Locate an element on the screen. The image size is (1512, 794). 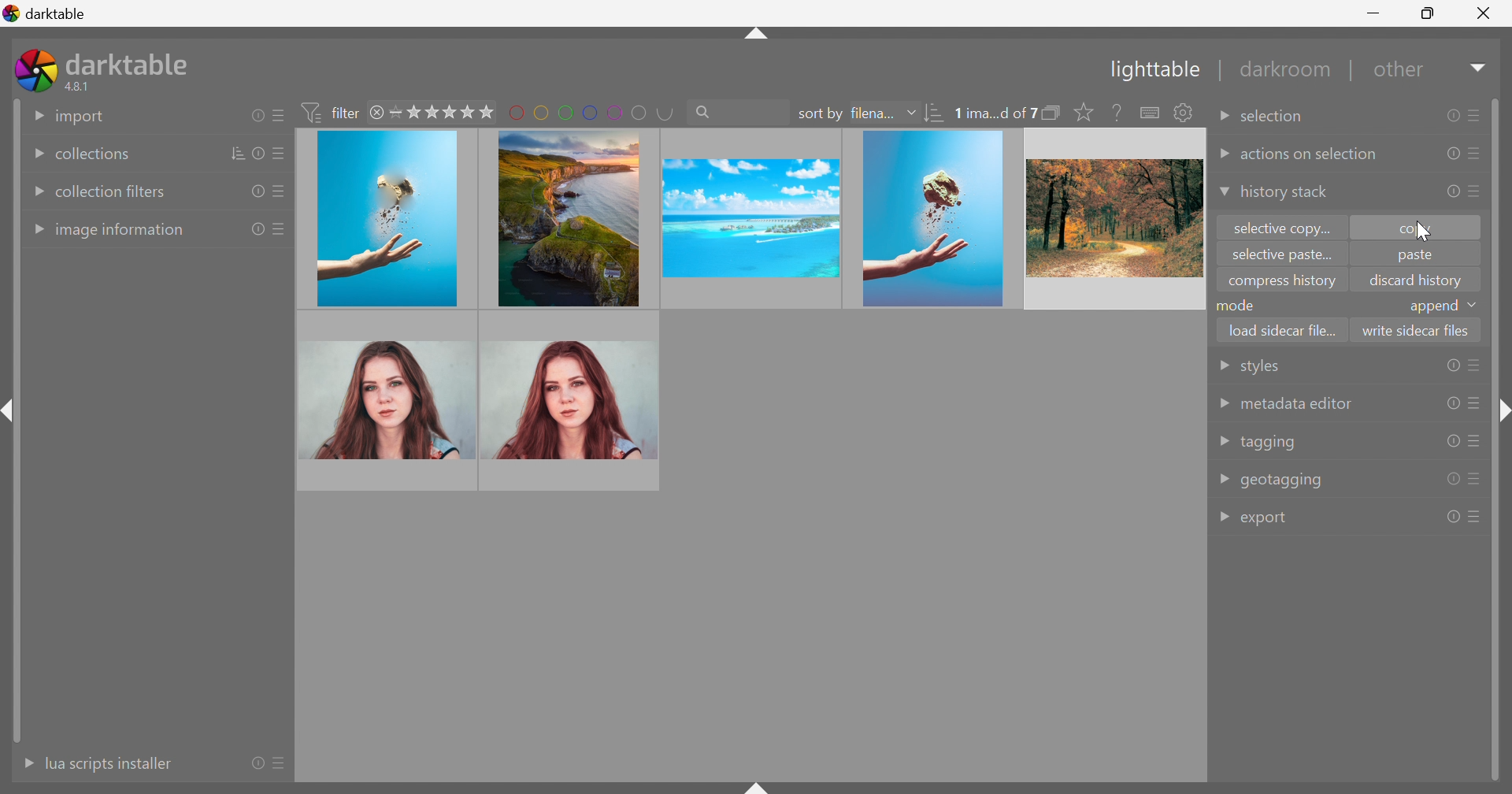
click to change the size of overlays on thumbnails is located at coordinates (1080, 113).